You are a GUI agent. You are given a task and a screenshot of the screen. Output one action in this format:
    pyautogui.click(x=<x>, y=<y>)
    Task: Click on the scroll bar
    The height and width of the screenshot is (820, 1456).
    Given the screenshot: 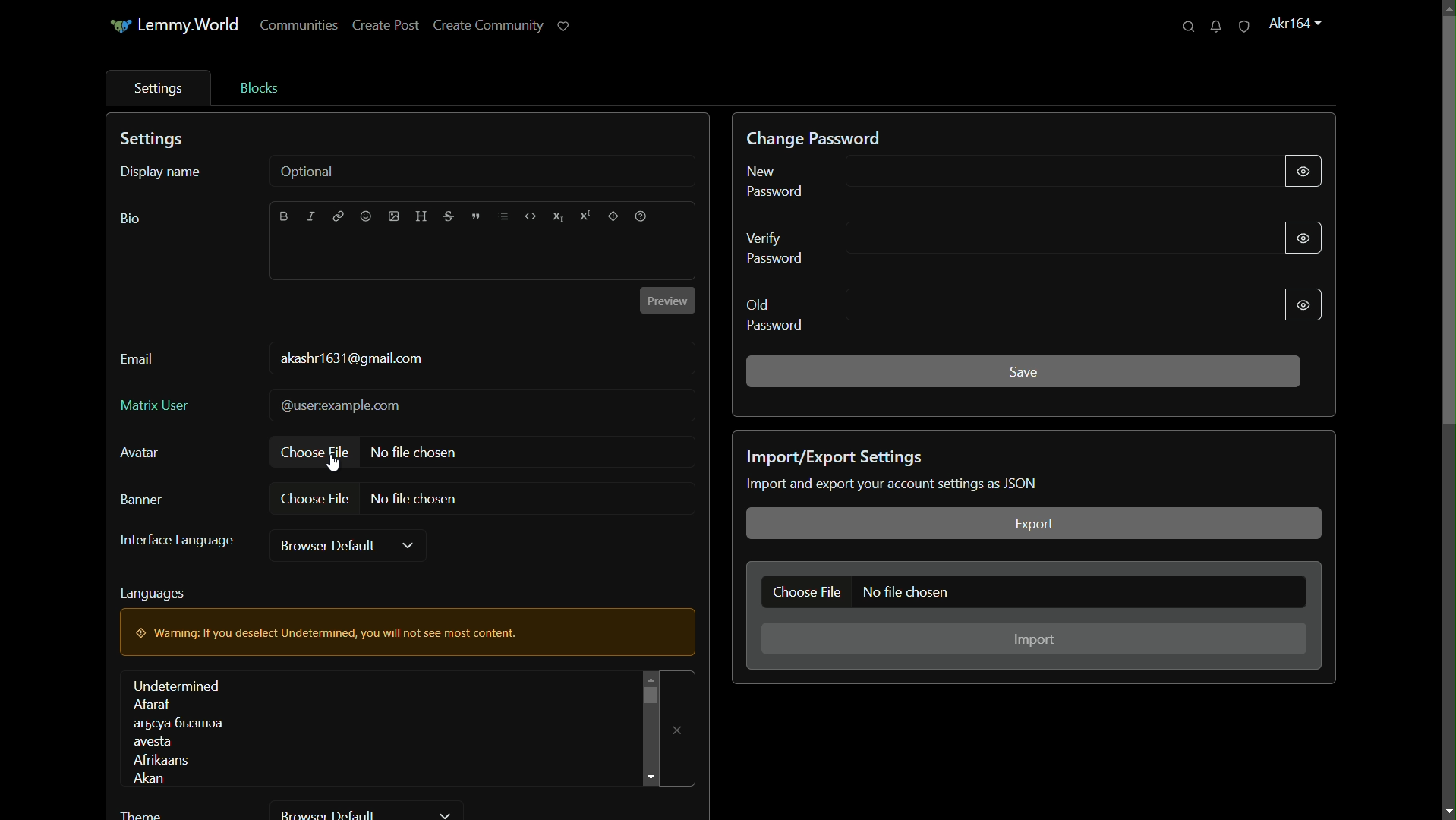 What is the action you would take?
    pyautogui.click(x=648, y=695)
    